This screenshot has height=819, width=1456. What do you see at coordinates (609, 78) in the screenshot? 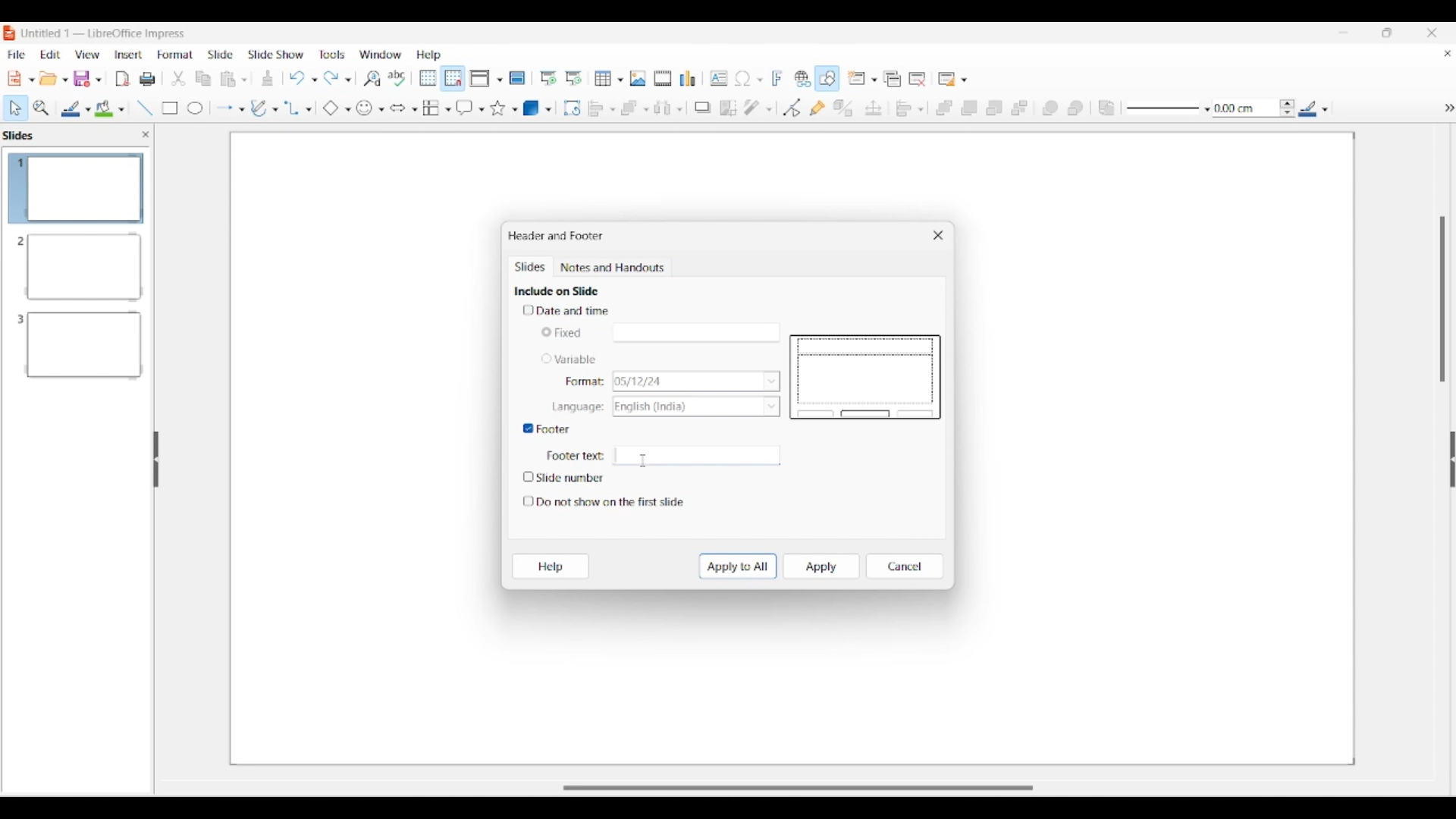
I see `Insert table options` at bounding box center [609, 78].